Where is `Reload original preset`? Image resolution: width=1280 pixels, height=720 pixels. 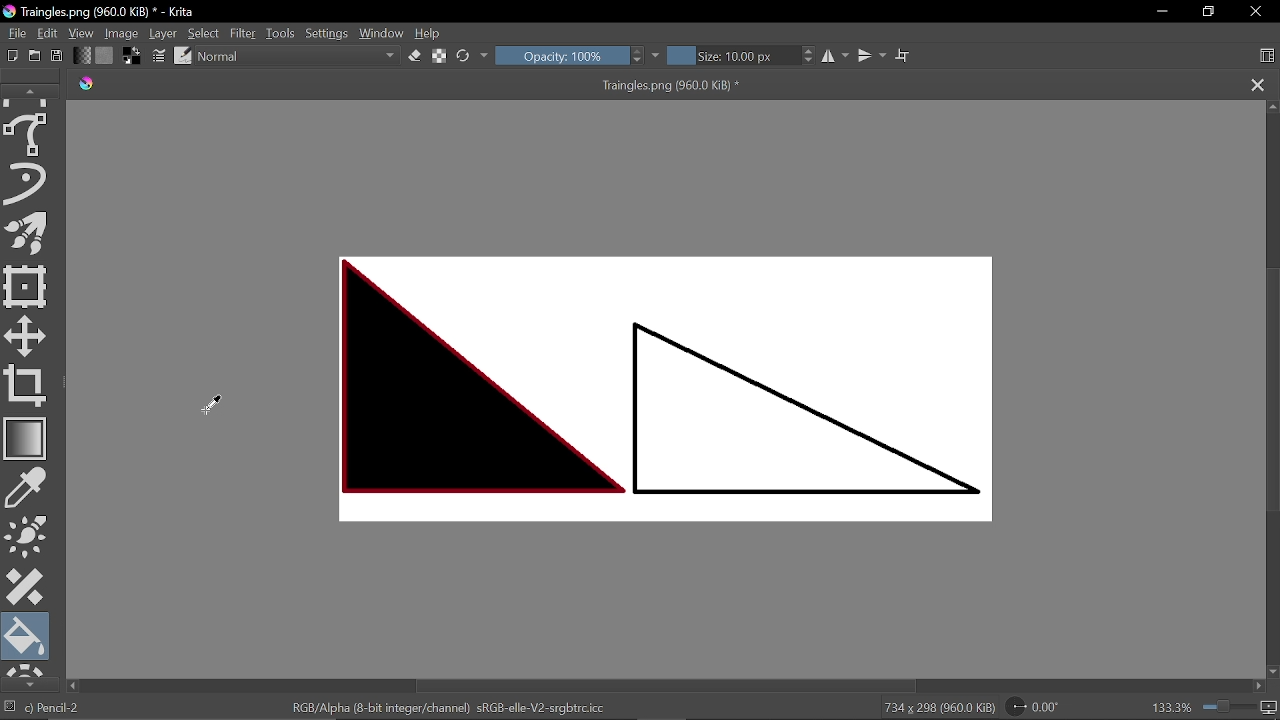
Reload original preset is located at coordinates (464, 56).